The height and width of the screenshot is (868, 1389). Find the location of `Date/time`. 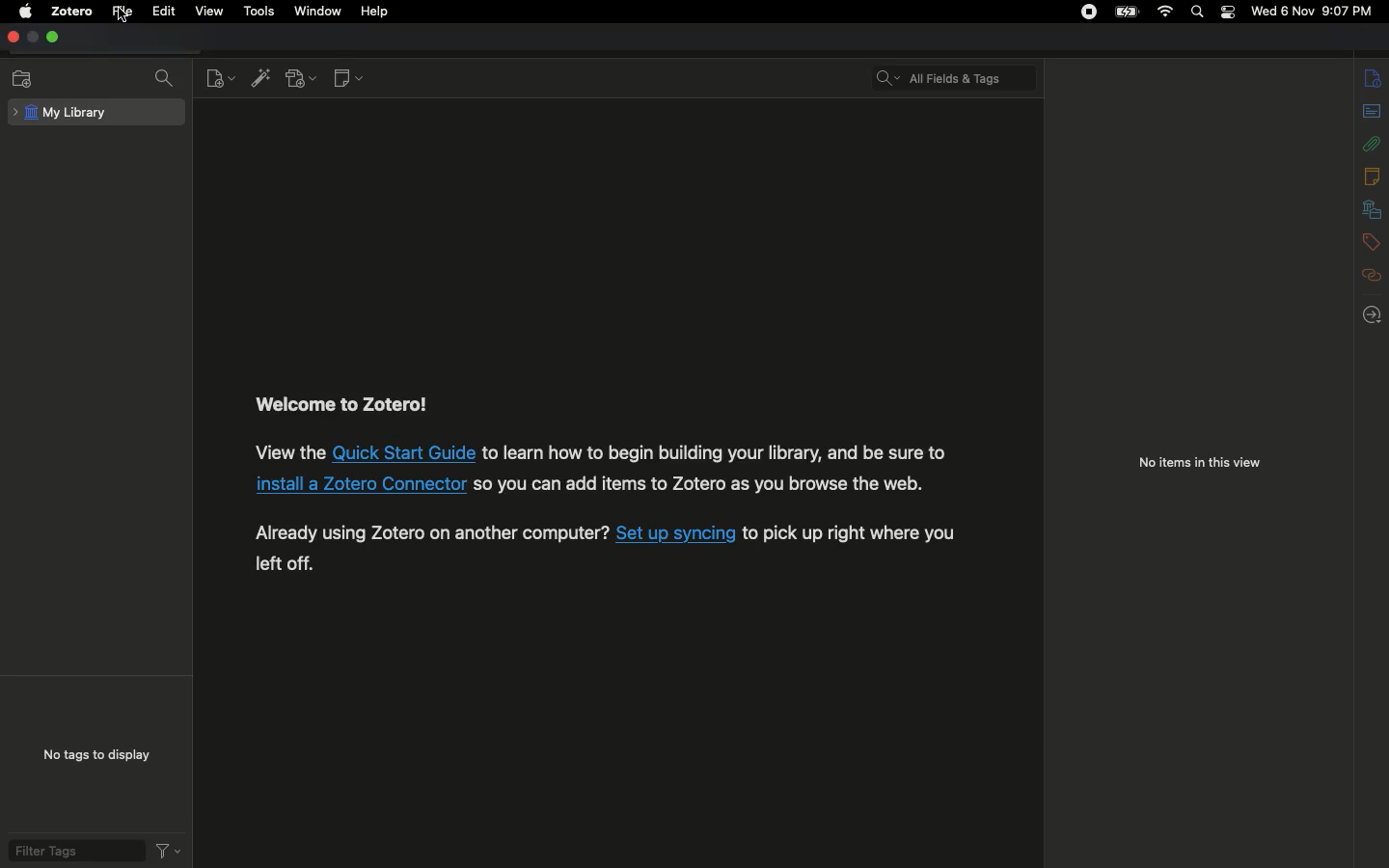

Date/time is located at coordinates (1316, 12).